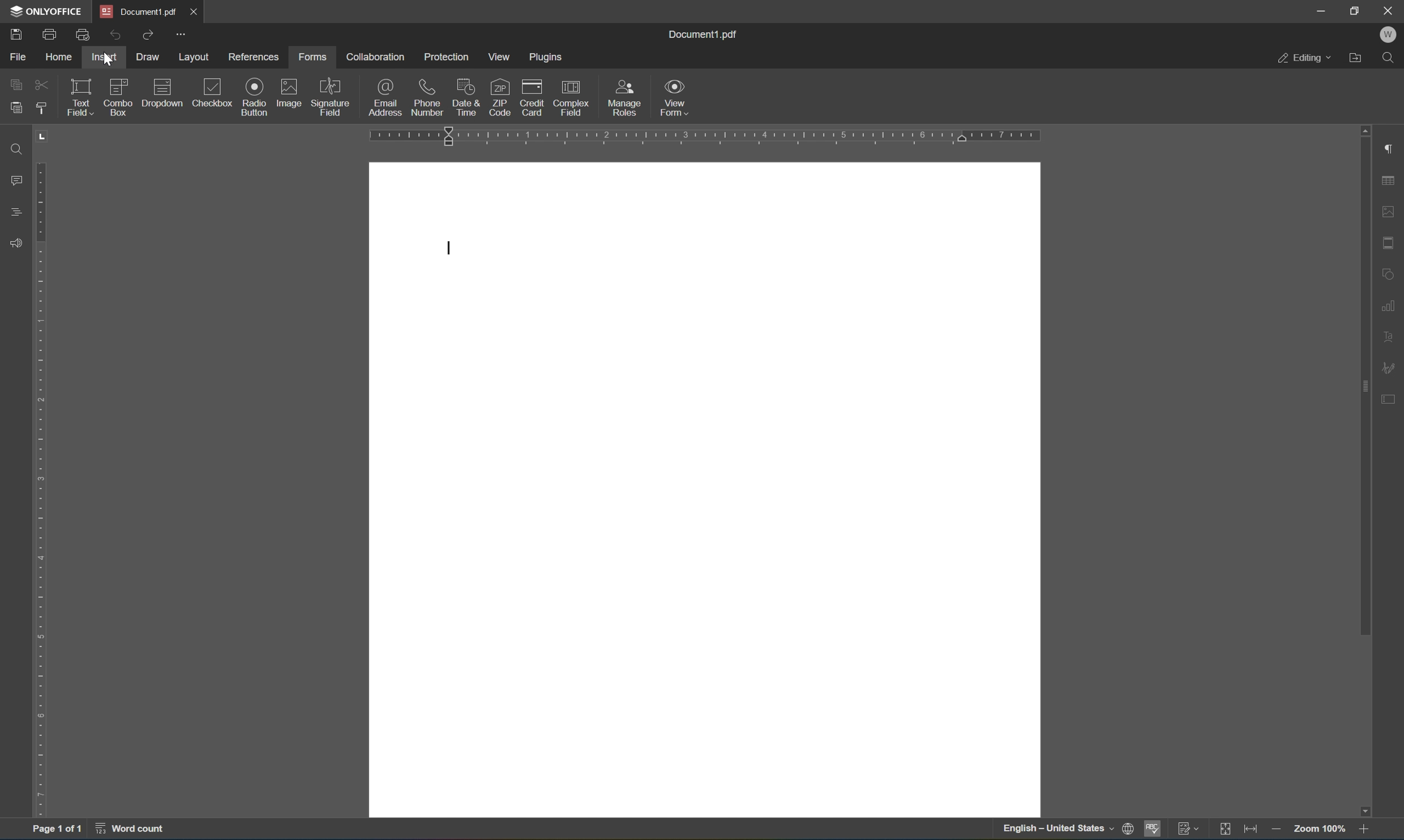 The height and width of the screenshot is (840, 1404). I want to click on Undo, so click(114, 37).